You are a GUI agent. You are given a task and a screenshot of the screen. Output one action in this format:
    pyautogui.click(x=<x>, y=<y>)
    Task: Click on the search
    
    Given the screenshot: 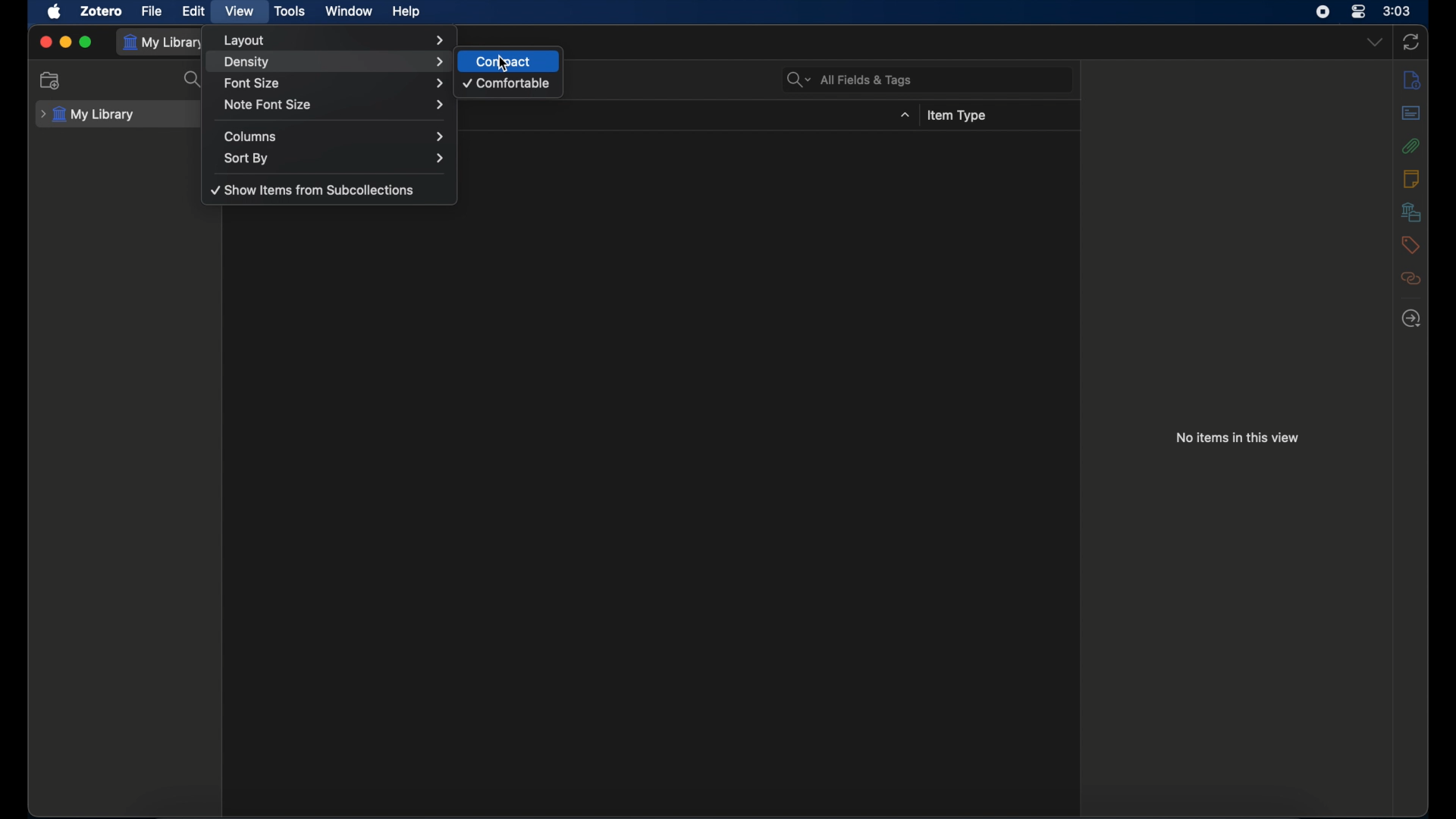 What is the action you would take?
    pyautogui.click(x=193, y=79)
    